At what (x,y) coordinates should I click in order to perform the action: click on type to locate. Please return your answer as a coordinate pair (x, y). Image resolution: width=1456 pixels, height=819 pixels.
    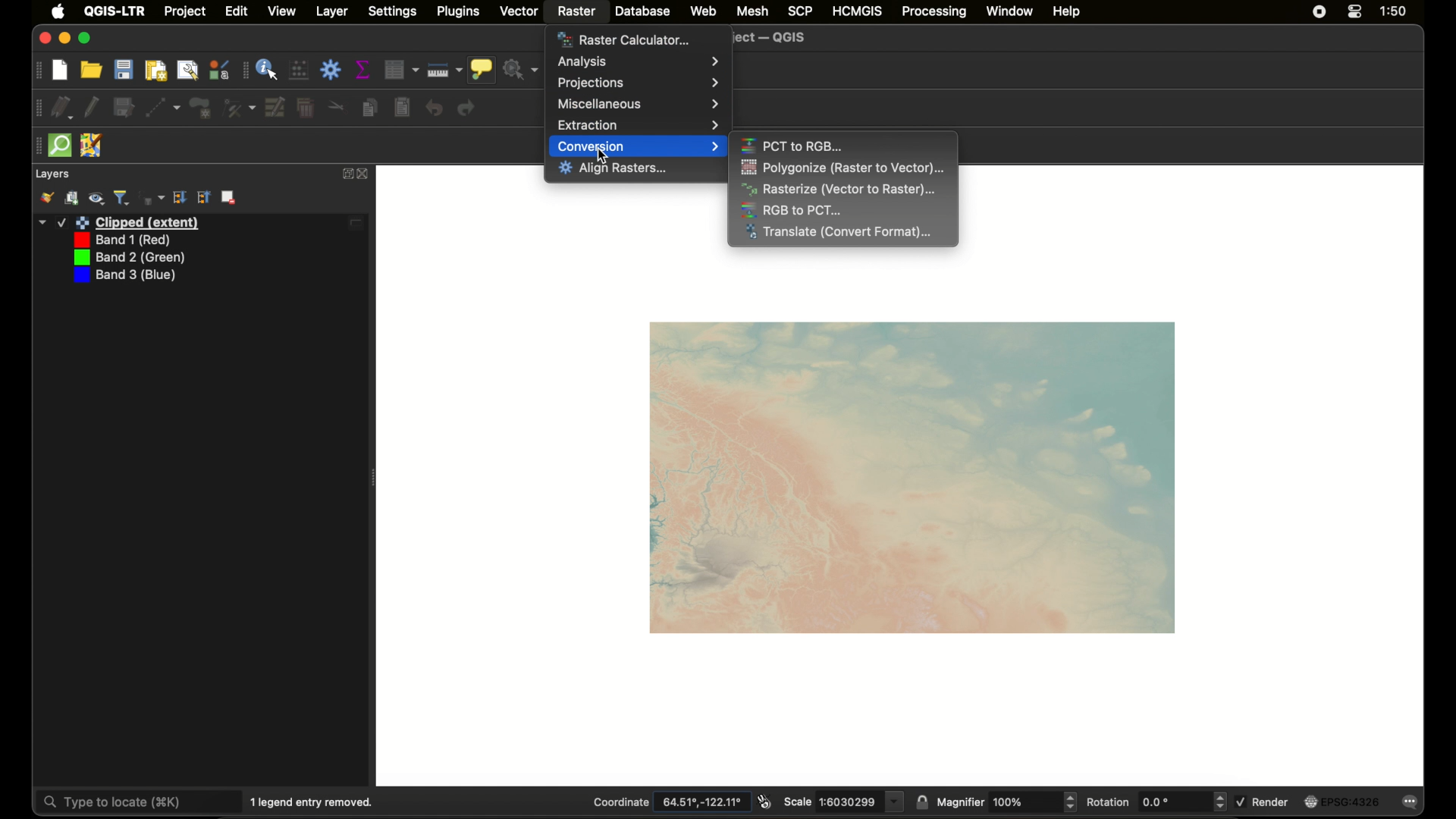
    Looking at the image, I should click on (138, 801).